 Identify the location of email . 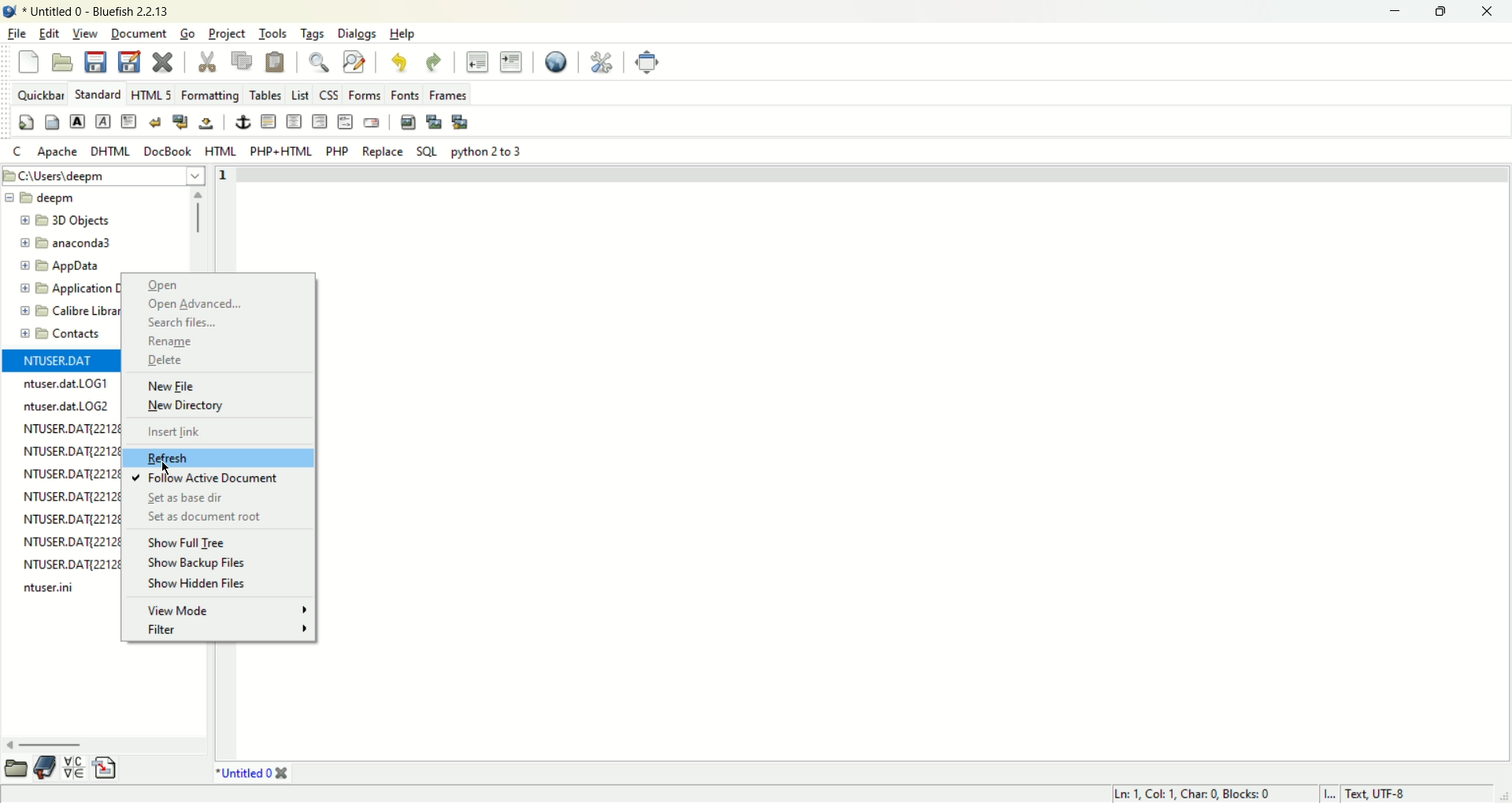
(375, 121).